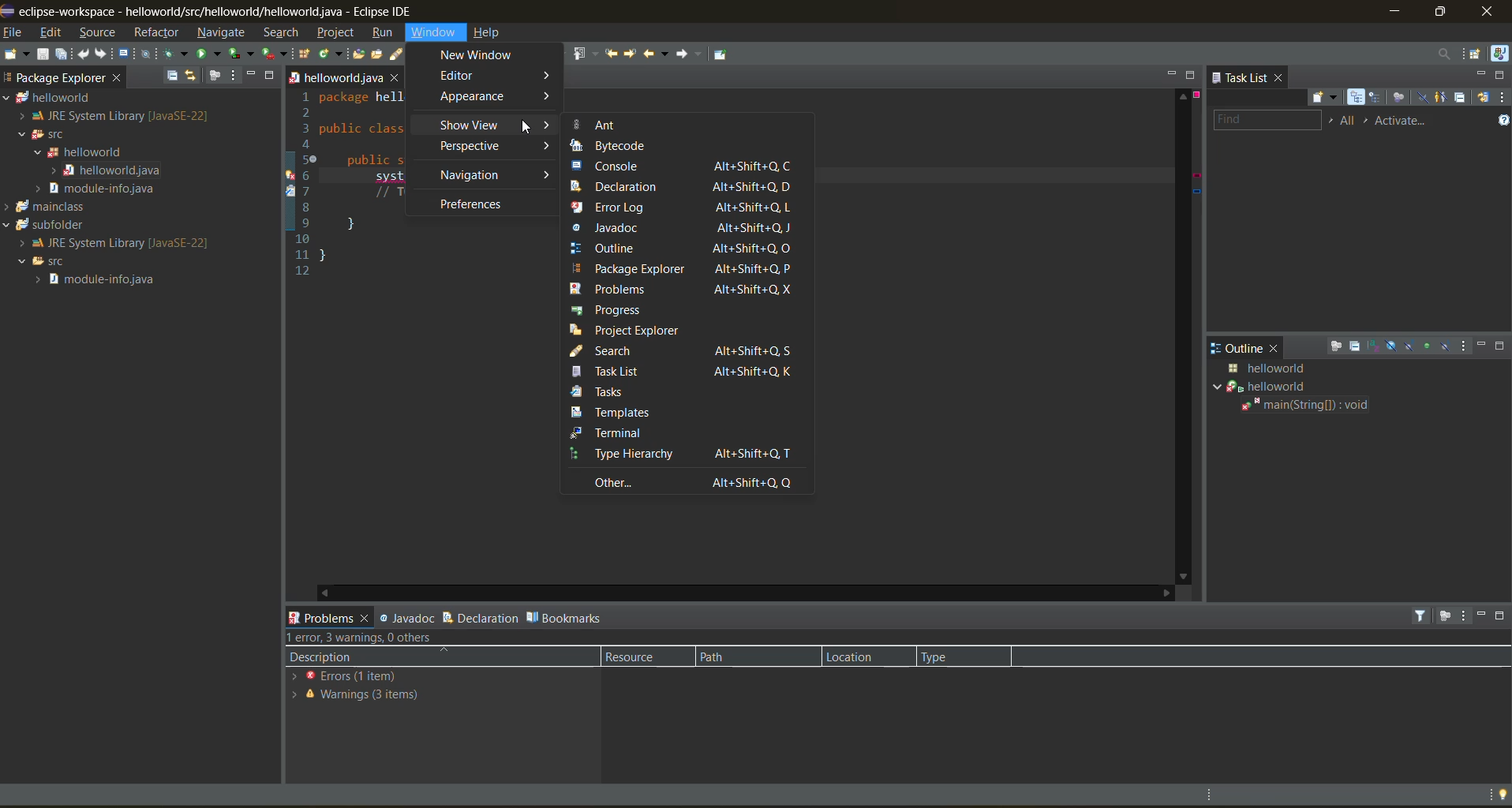  I want to click on minimize, so click(1395, 12).